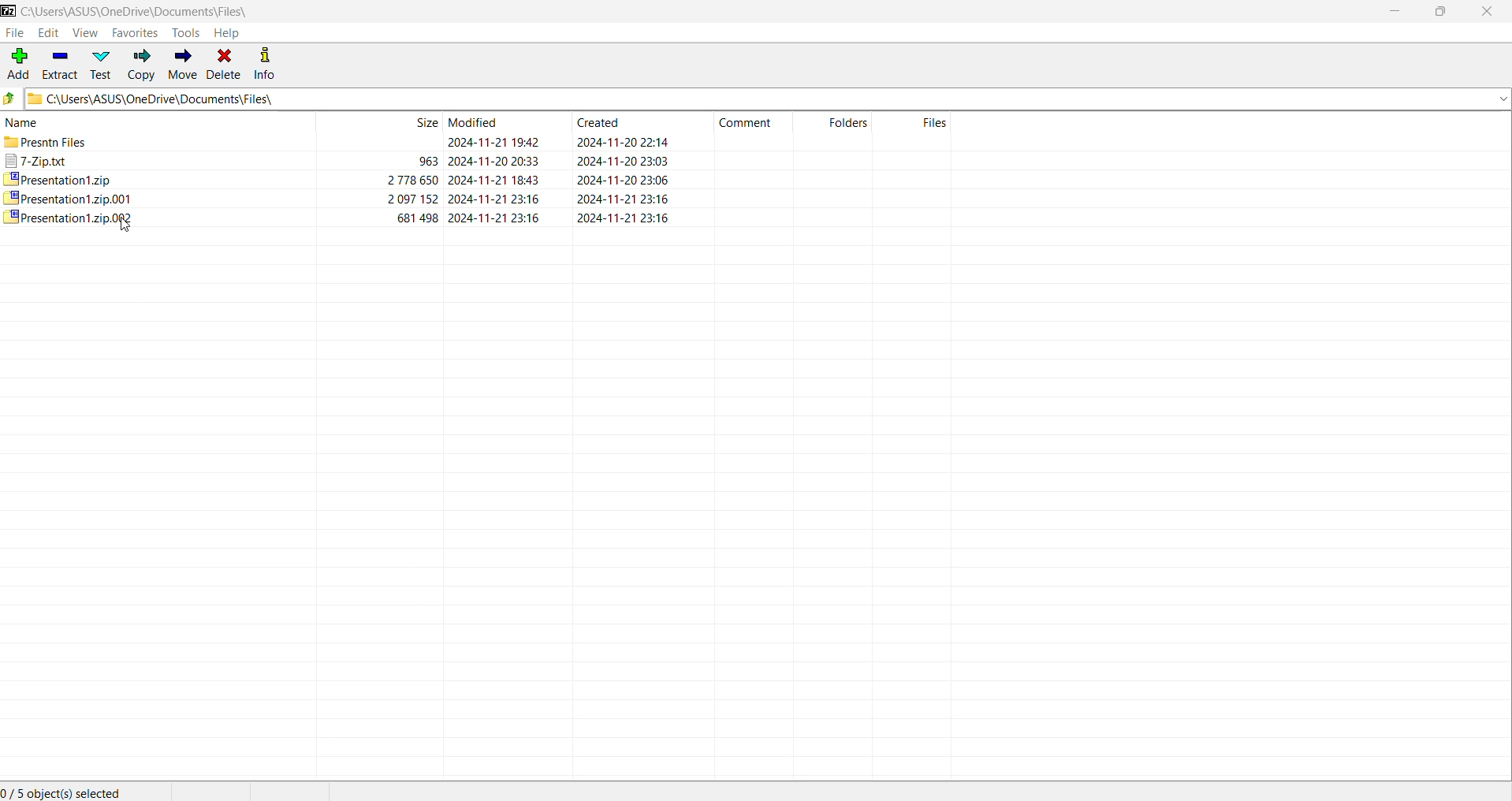  What do you see at coordinates (918, 122) in the screenshot?
I see `Files` at bounding box center [918, 122].